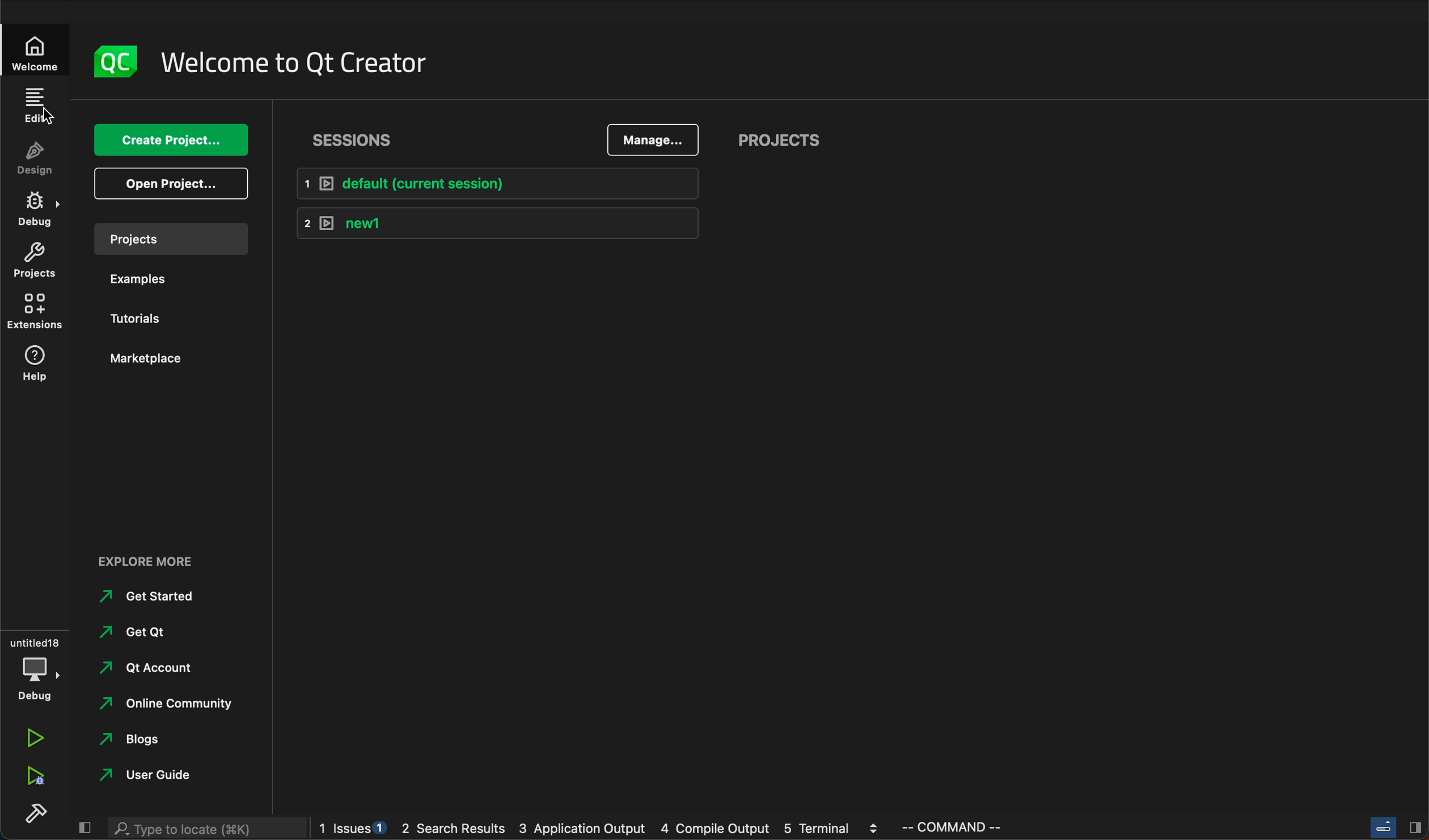  Describe the element at coordinates (172, 184) in the screenshot. I see `open` at that location.